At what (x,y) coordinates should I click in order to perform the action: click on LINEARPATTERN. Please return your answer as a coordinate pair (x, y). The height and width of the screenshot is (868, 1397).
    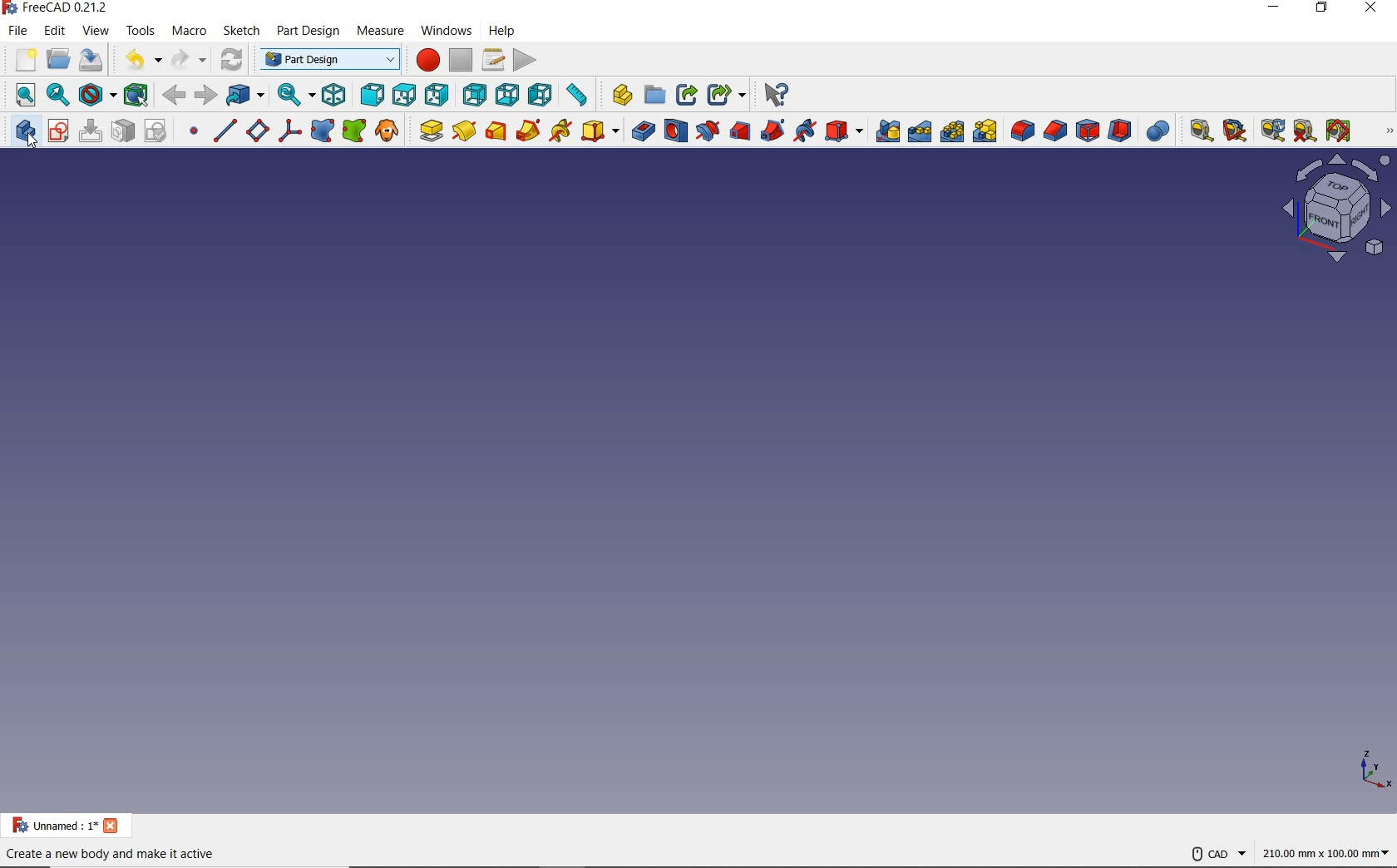
    Looking at the image, I should click on (920, 130).